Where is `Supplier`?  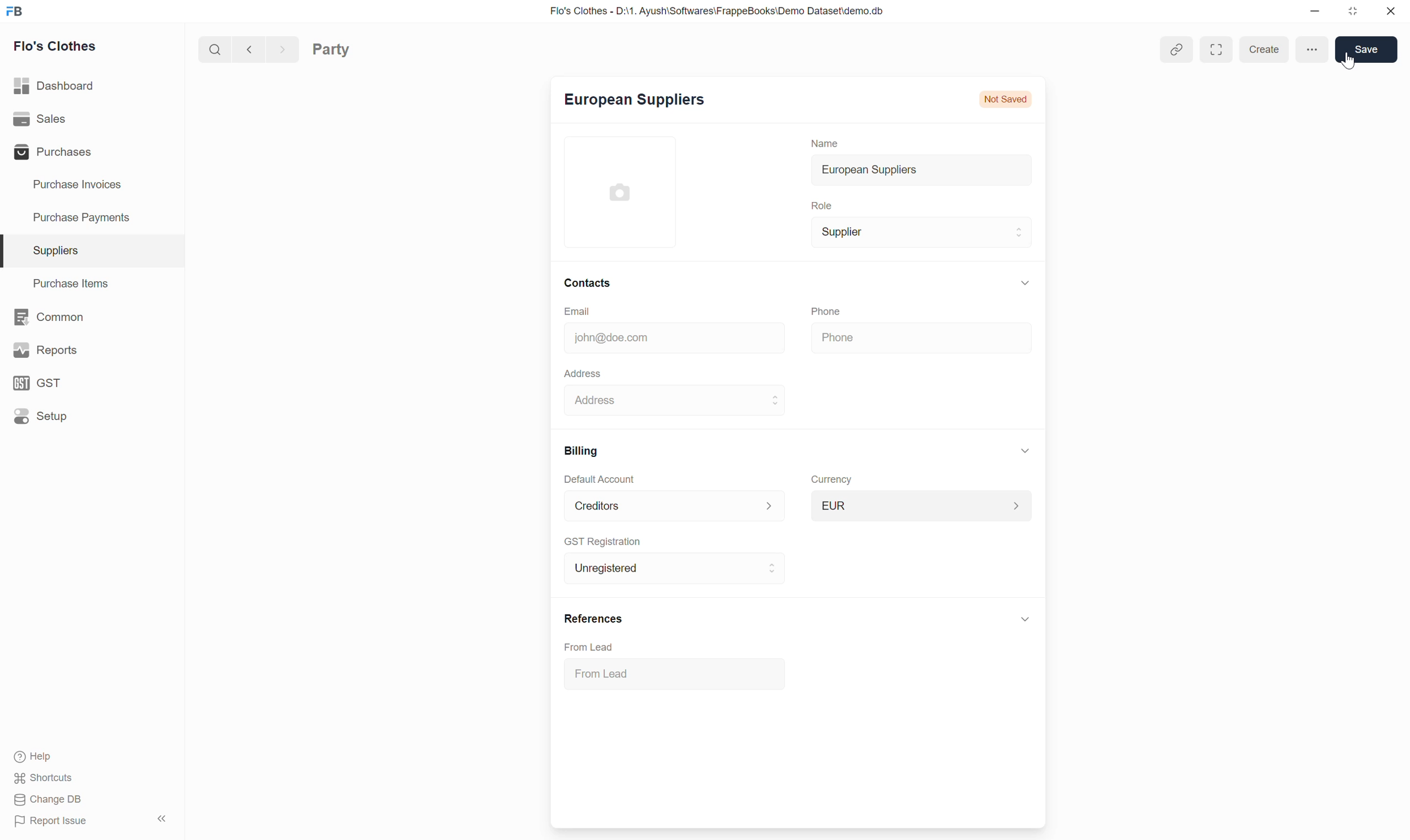 Supplier is located at coordinates (838, 232).